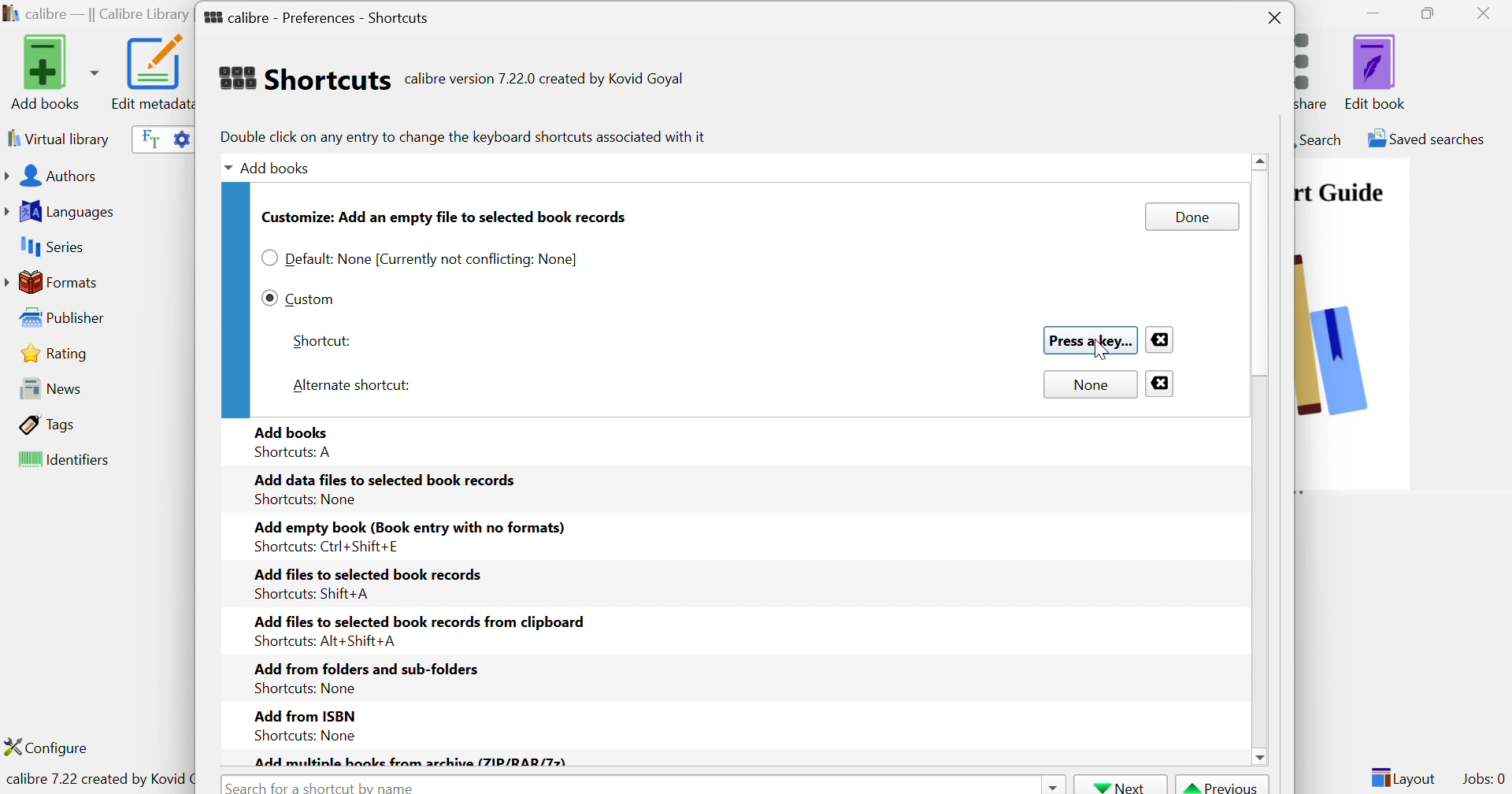 The image size is (1512, 794). I want to click on Tags, so click(48, 424).